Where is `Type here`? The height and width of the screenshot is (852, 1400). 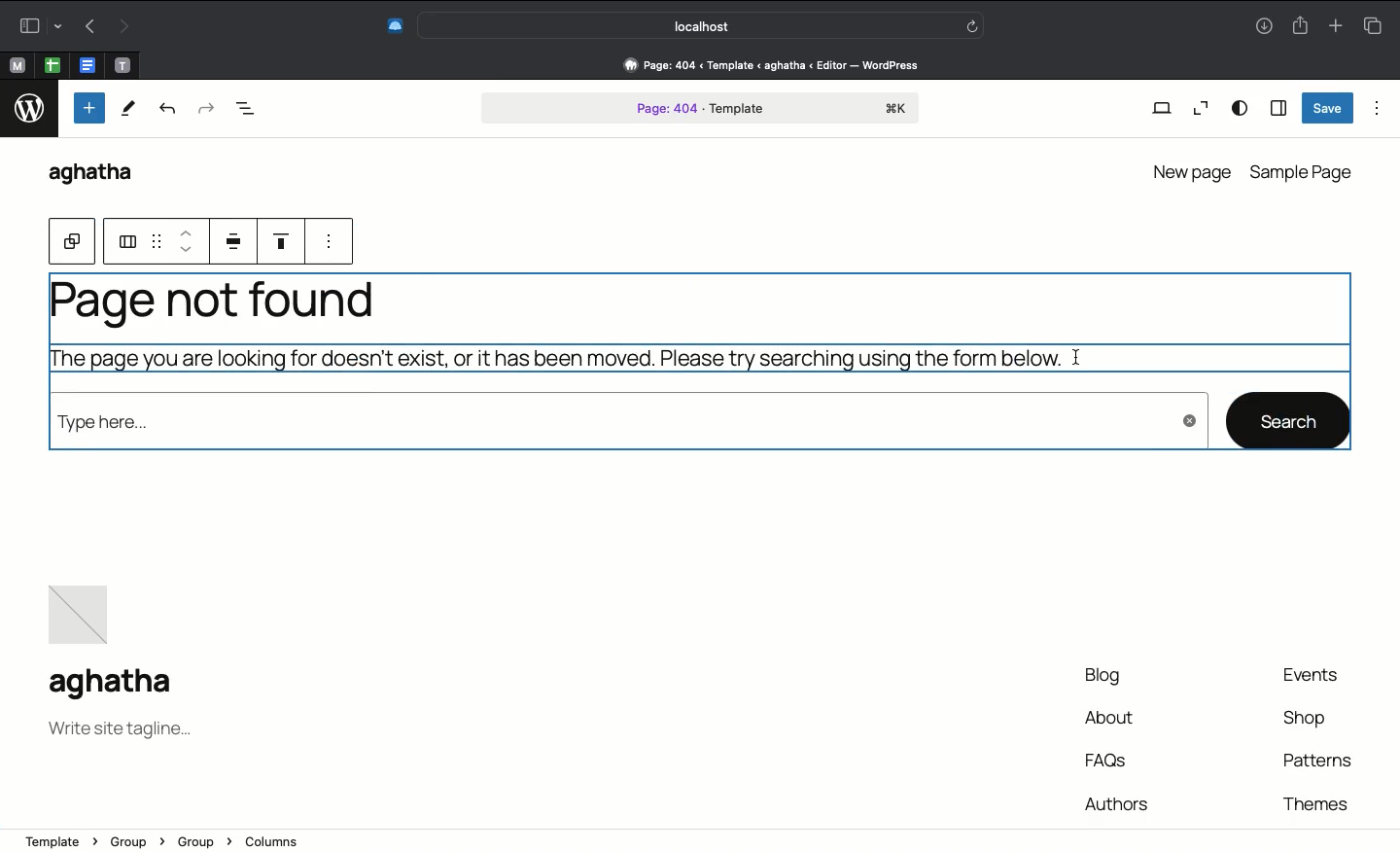
Type here is located at coordinates (625, 427).